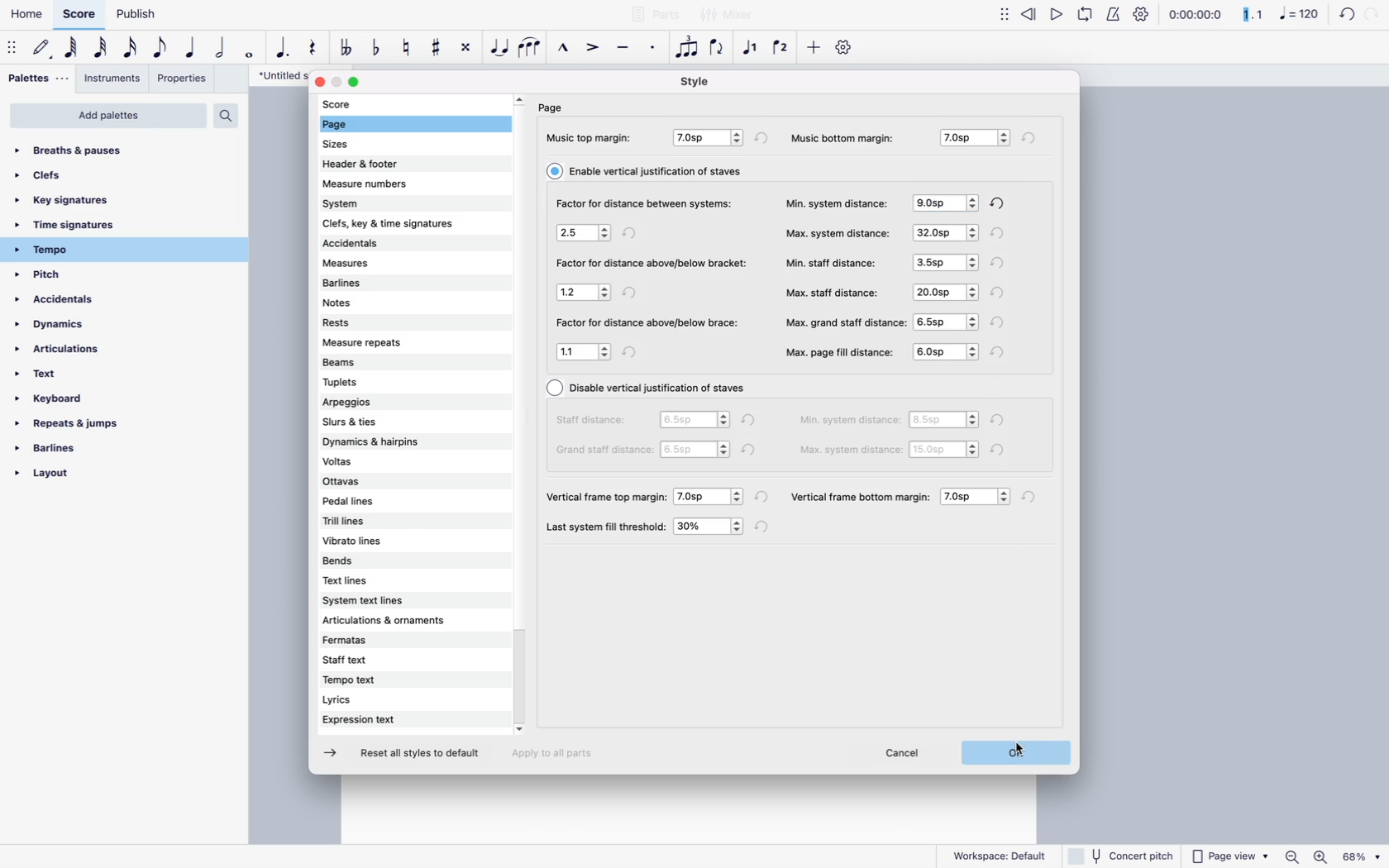 This screenshot has height=868, width=1389. What do you see at coordinates (554, 107) in the screenshot?
I see `page` at bounding box center [554, 107].